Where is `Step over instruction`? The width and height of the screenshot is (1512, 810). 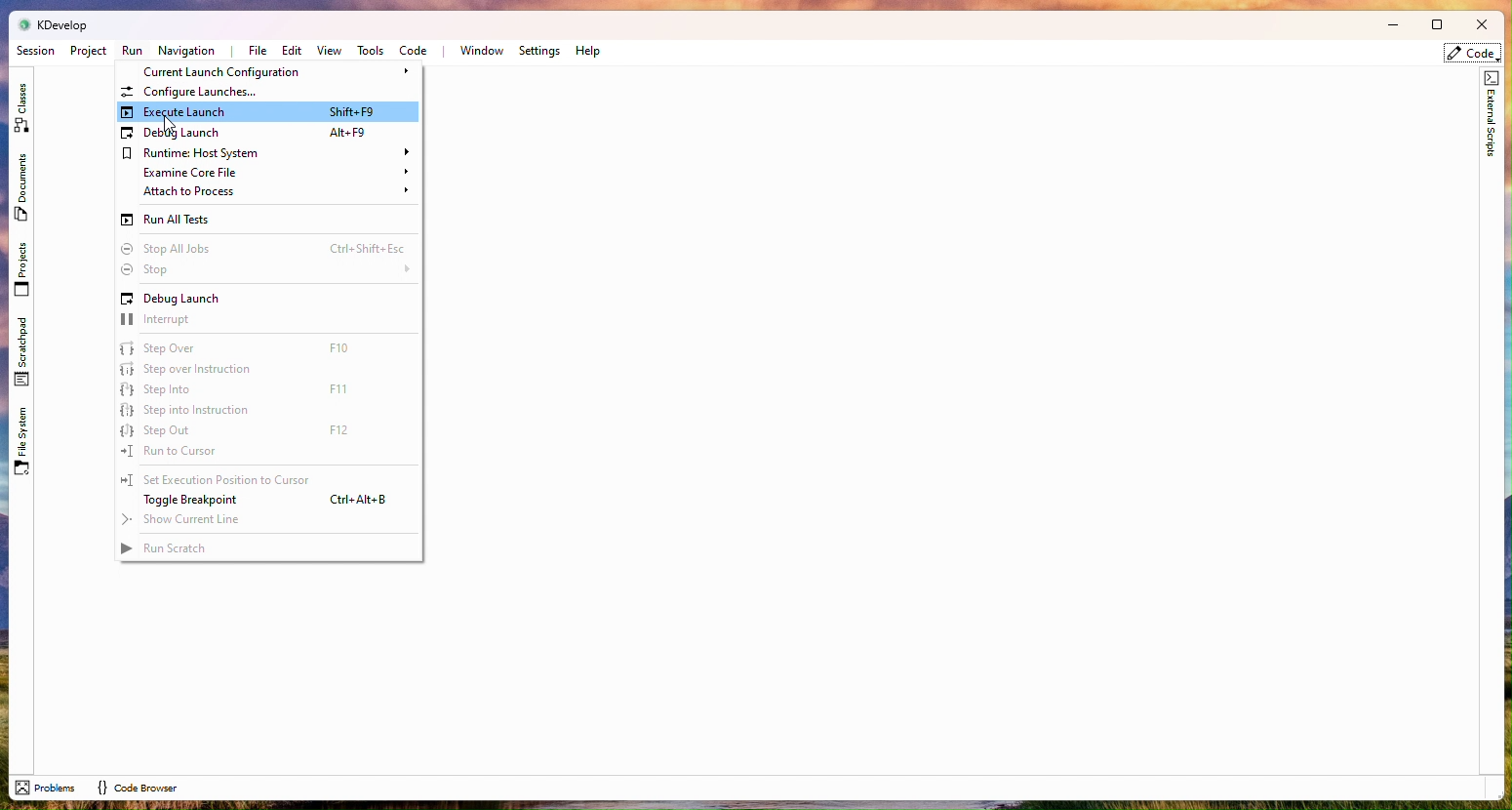 Step over instruction is located at coordinates (243, 369).